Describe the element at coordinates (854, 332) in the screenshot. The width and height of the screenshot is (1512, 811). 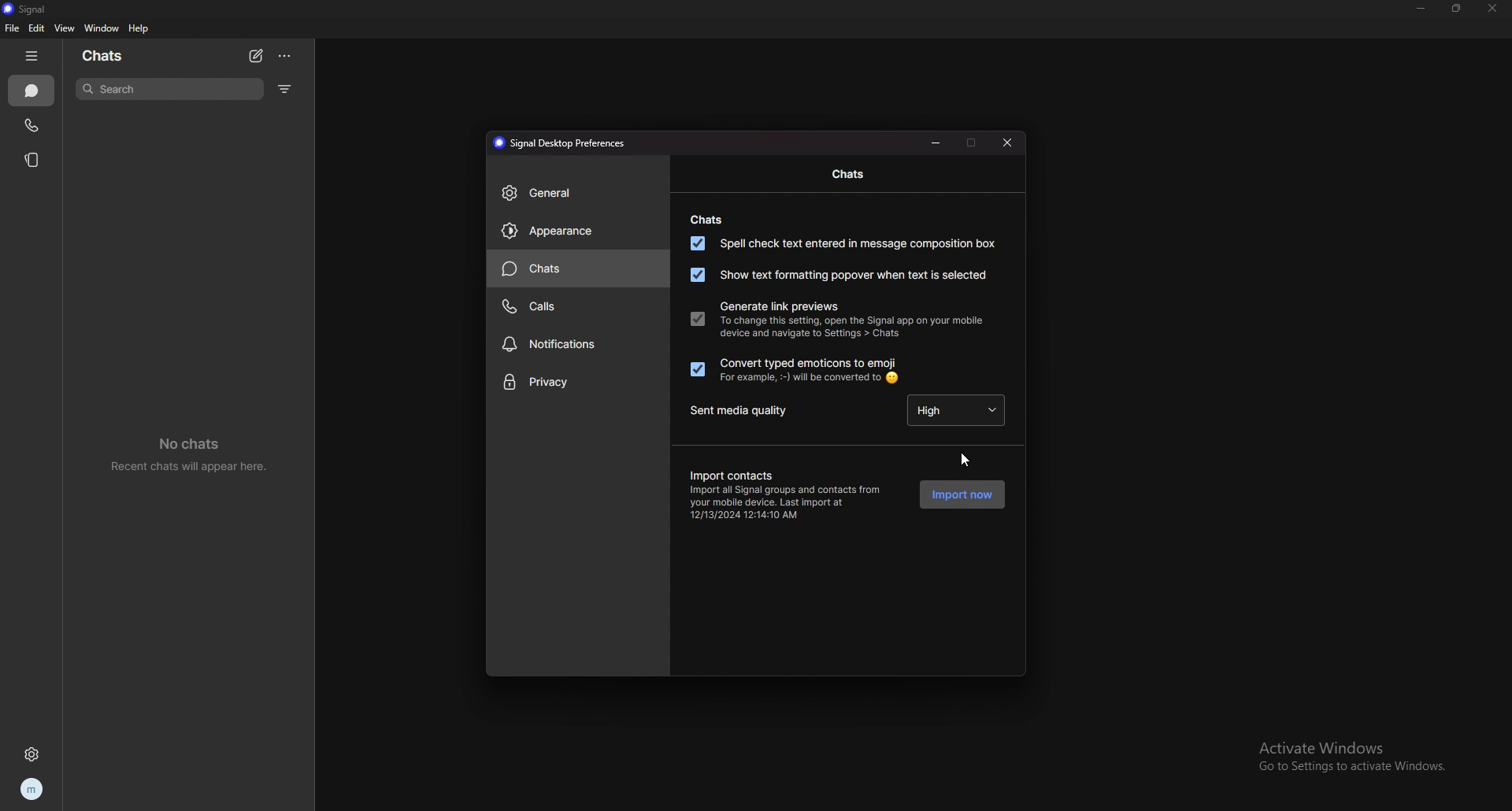
I see `To change this setting, open the Signal app on your mobile
device and navigate to Settings > Chats` at that location.